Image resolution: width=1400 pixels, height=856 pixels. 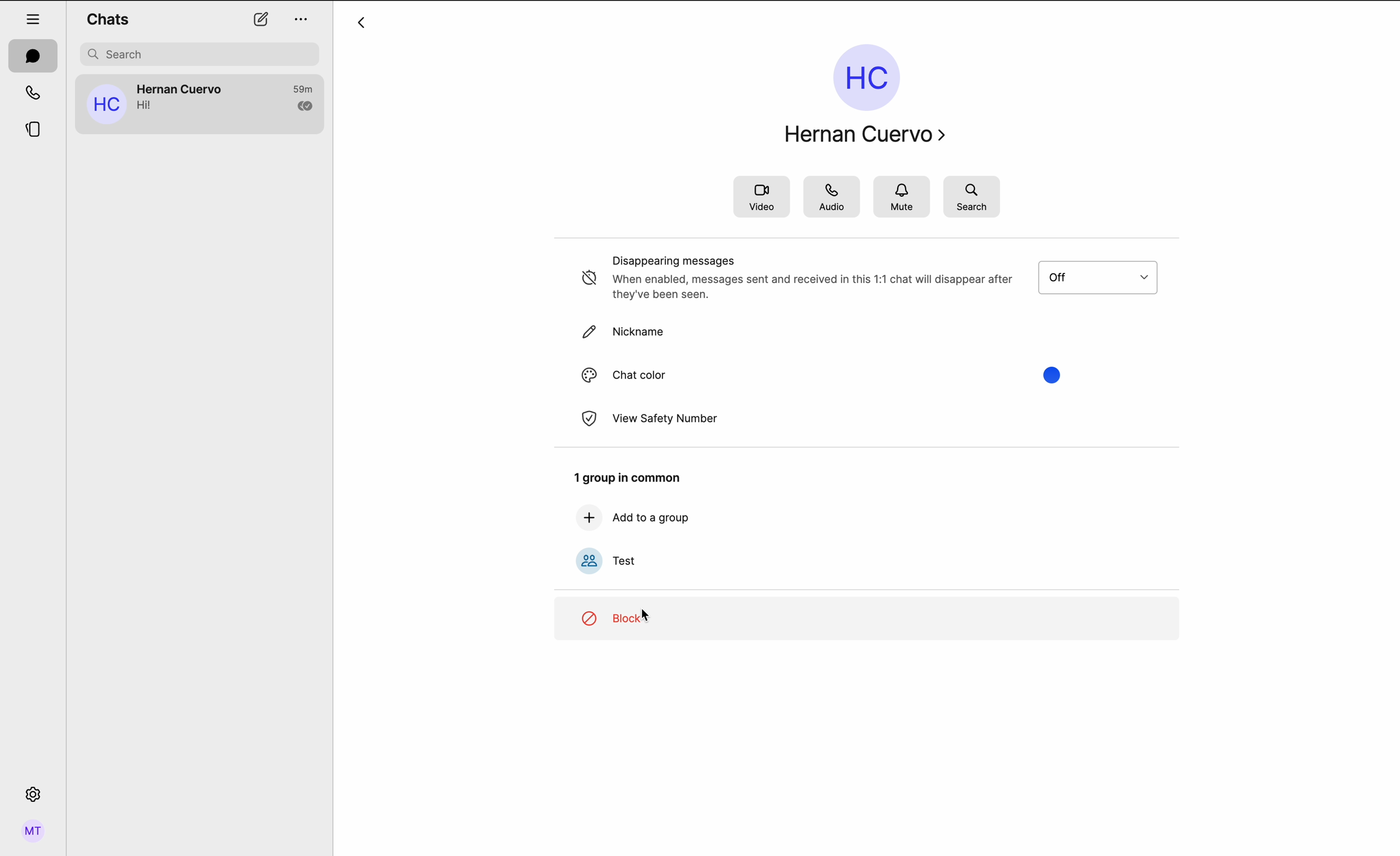 What do you see at coordinates (834, 197) in the screenshot?
I see `audio` at bounding box center [834, 197].